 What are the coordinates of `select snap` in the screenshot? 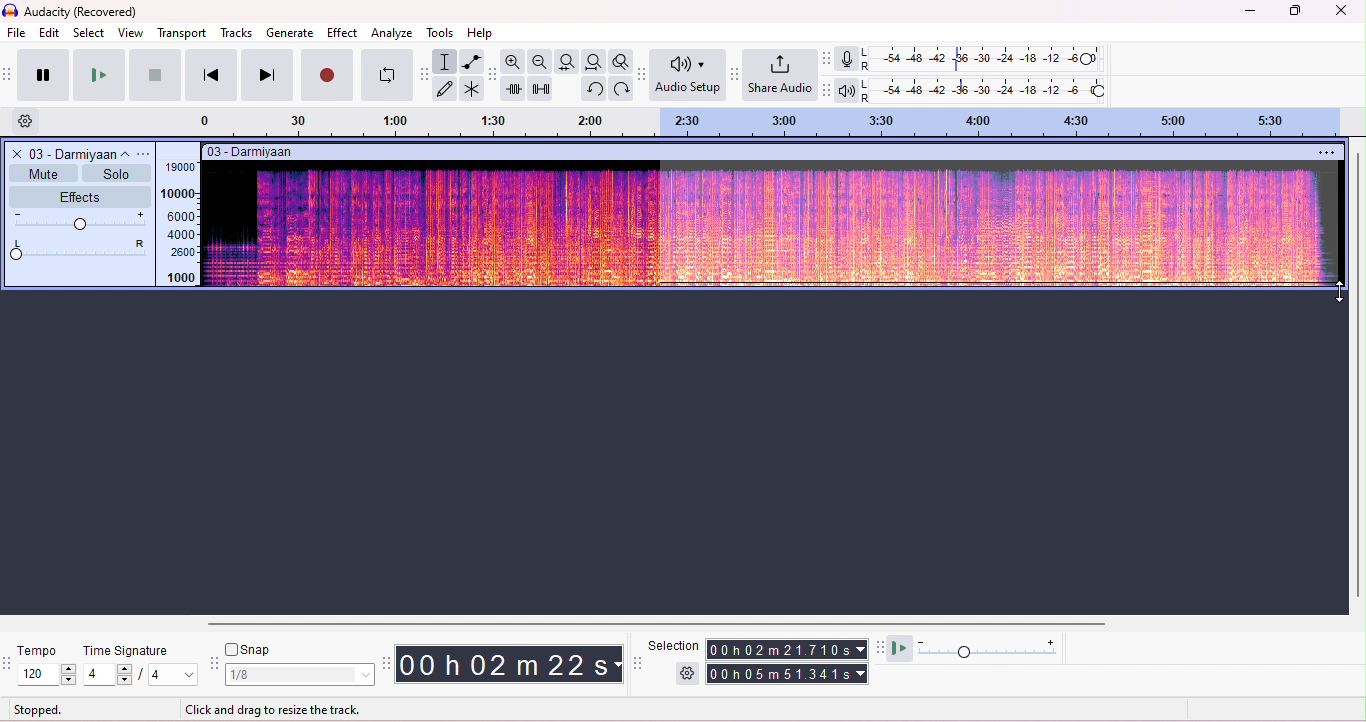 It's located at (301, 675).